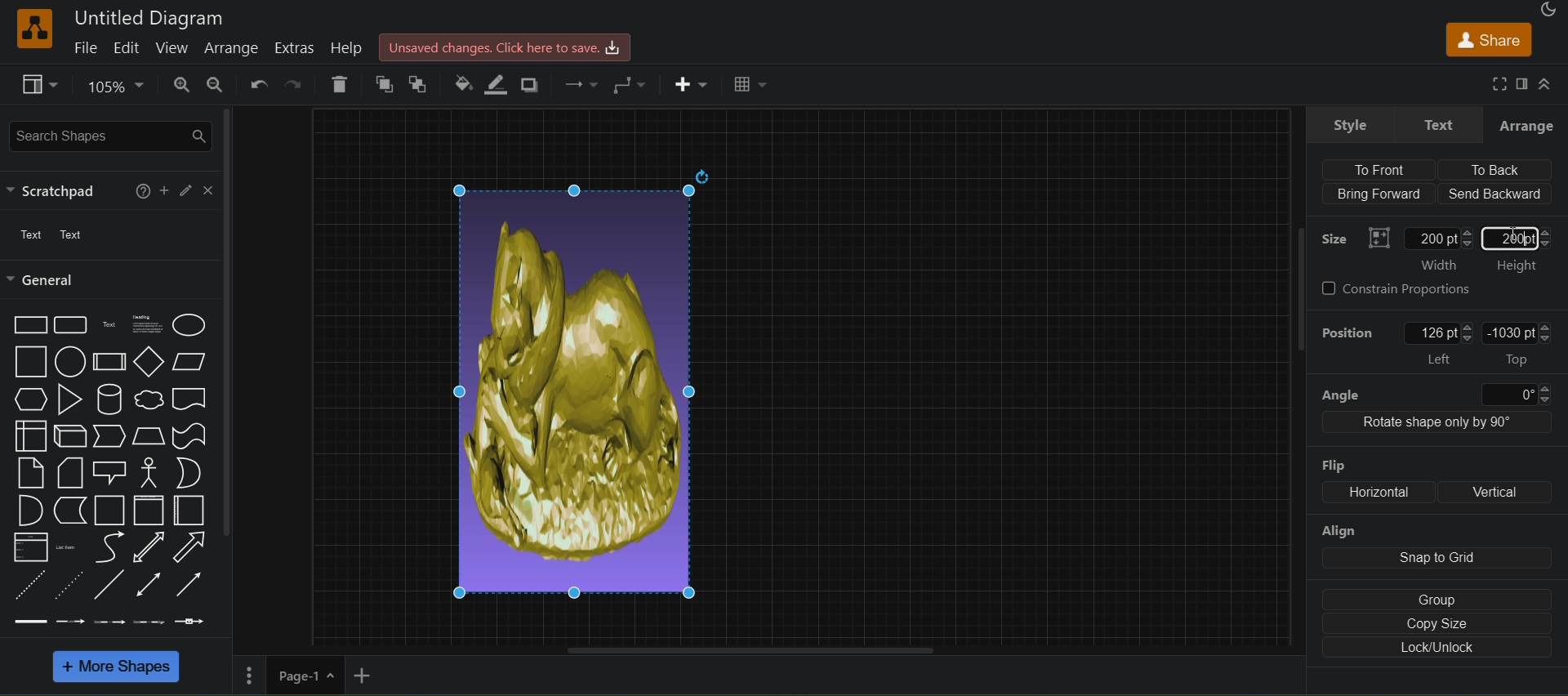  What do you see at coordinates (1432, 546) in the screenshot?
I see `align` at bounding box center [1432, 546].